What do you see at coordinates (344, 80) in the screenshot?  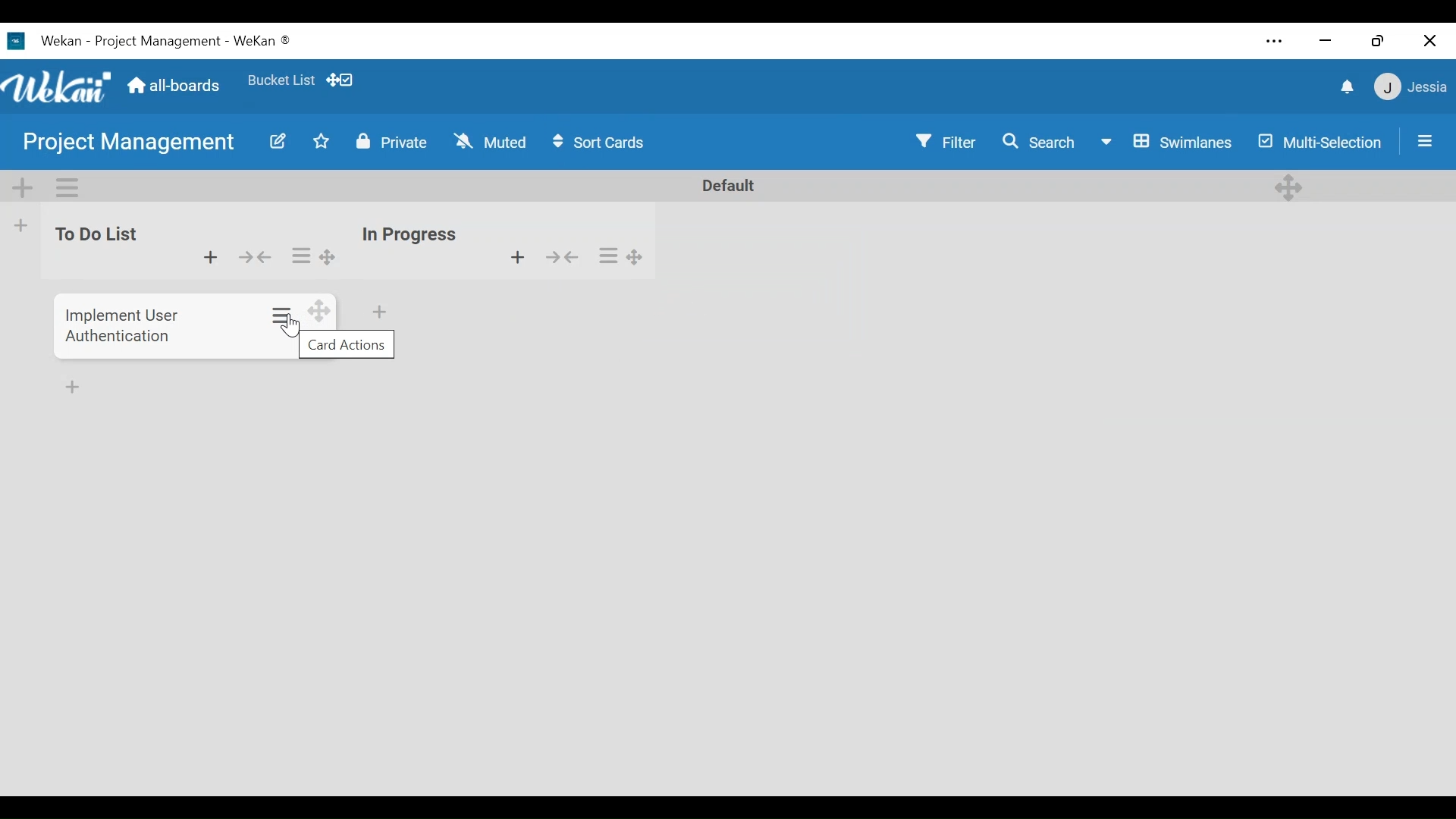 I see `Show Desktop drag handles` at bounding box center [344, 80].